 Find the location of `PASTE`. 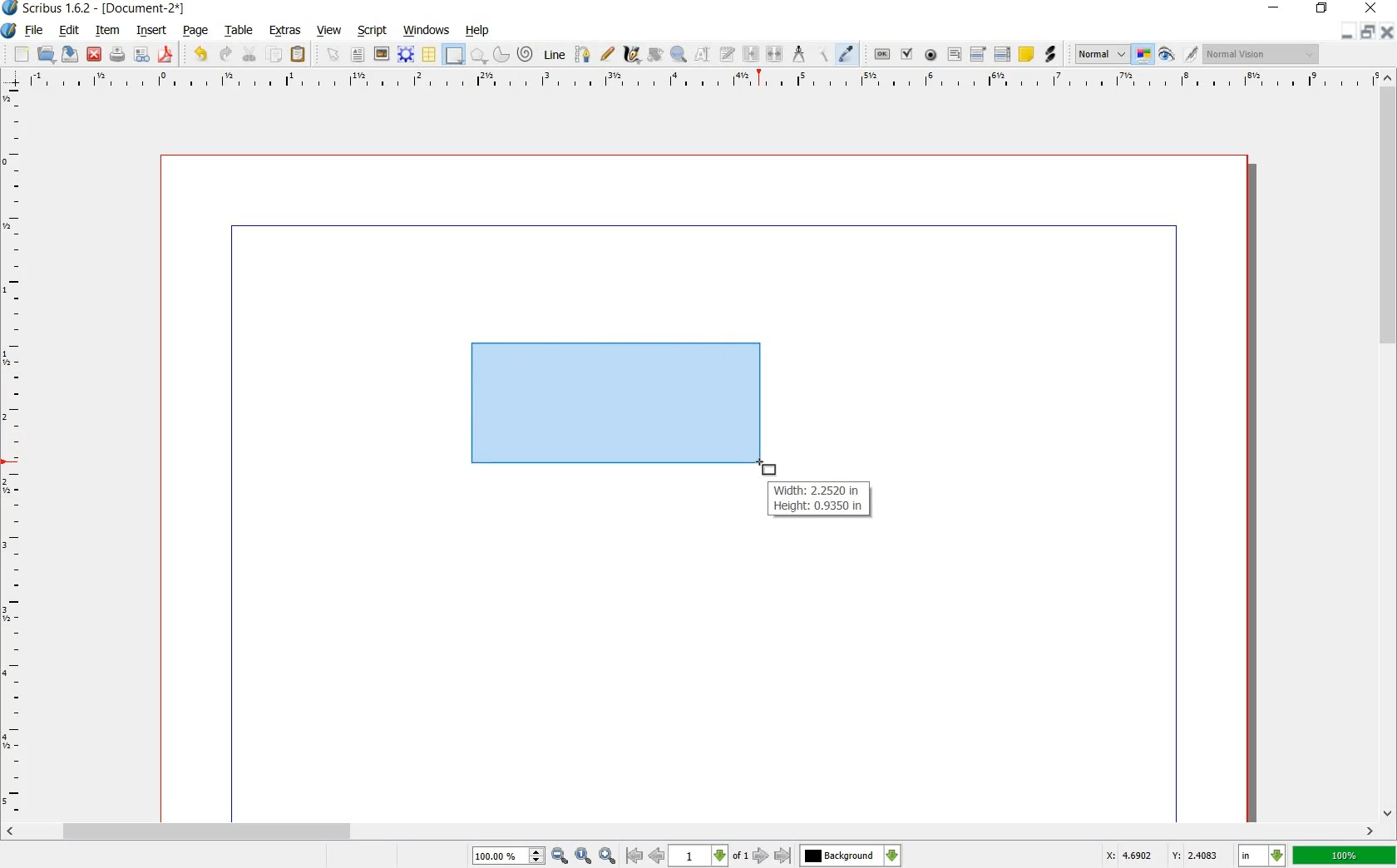

PASTE is located at coordinates (299, 54).